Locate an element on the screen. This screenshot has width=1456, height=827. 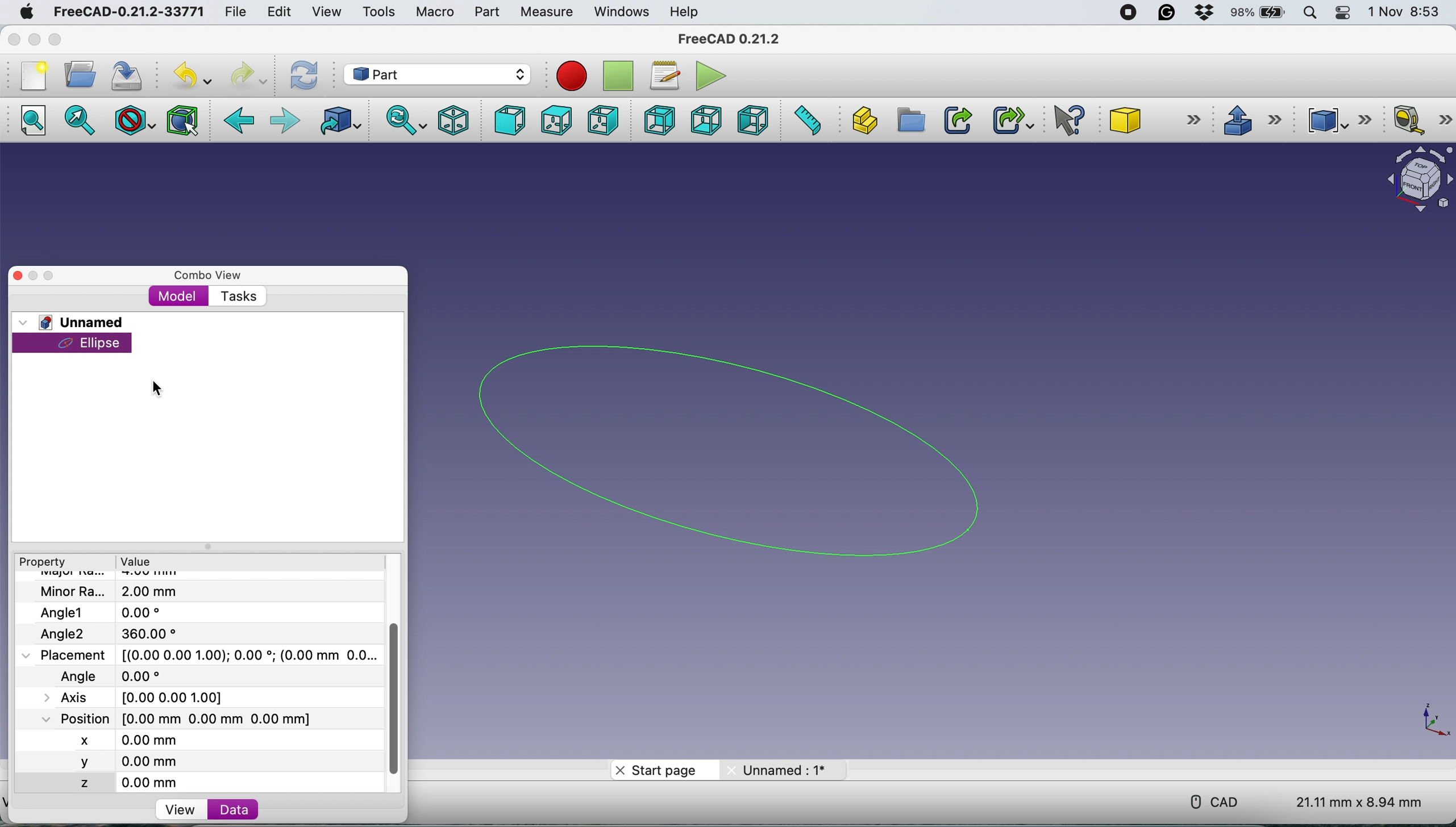
close is located at coordinates (18, 275).